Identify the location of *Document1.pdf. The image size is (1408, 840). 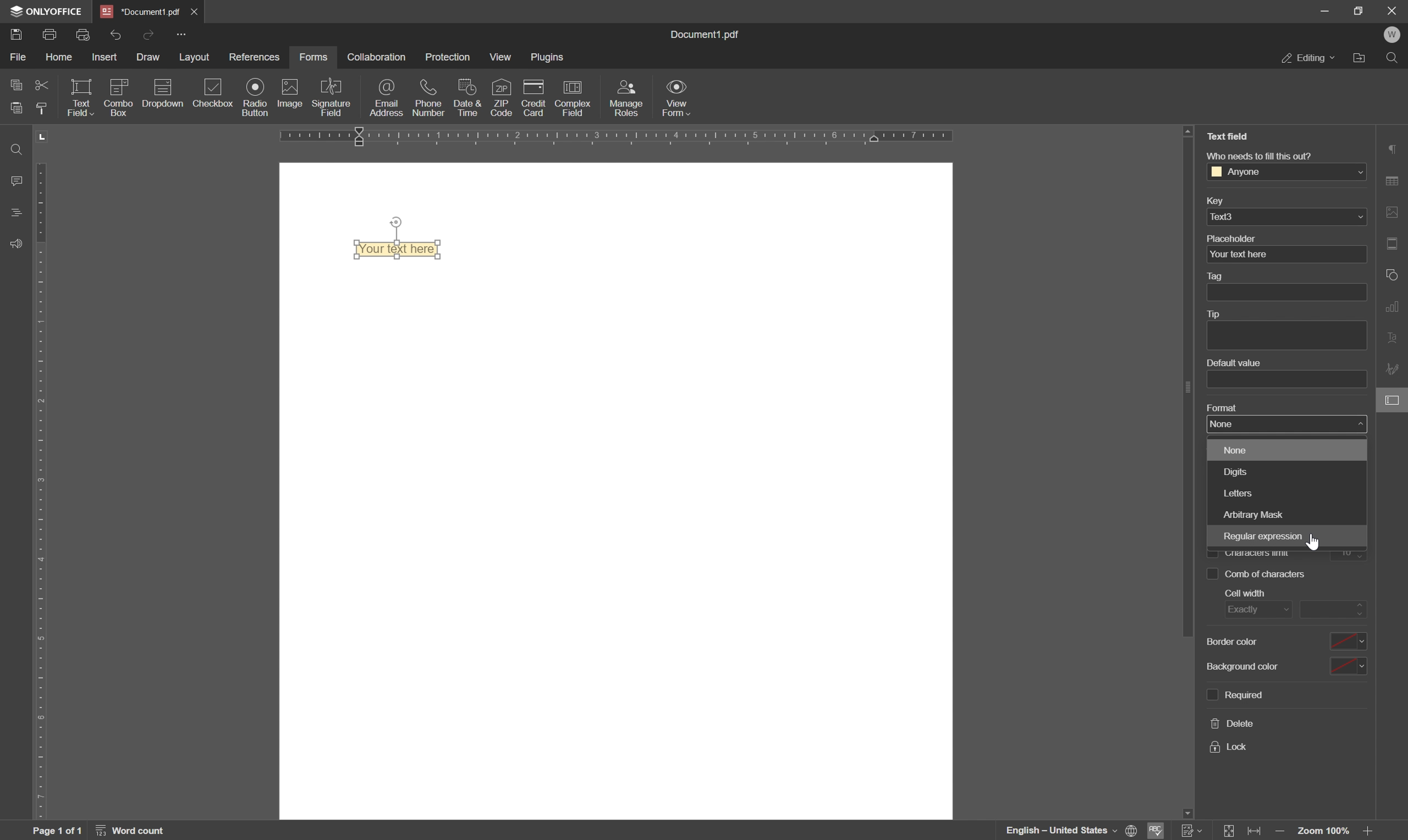
(196, 11).